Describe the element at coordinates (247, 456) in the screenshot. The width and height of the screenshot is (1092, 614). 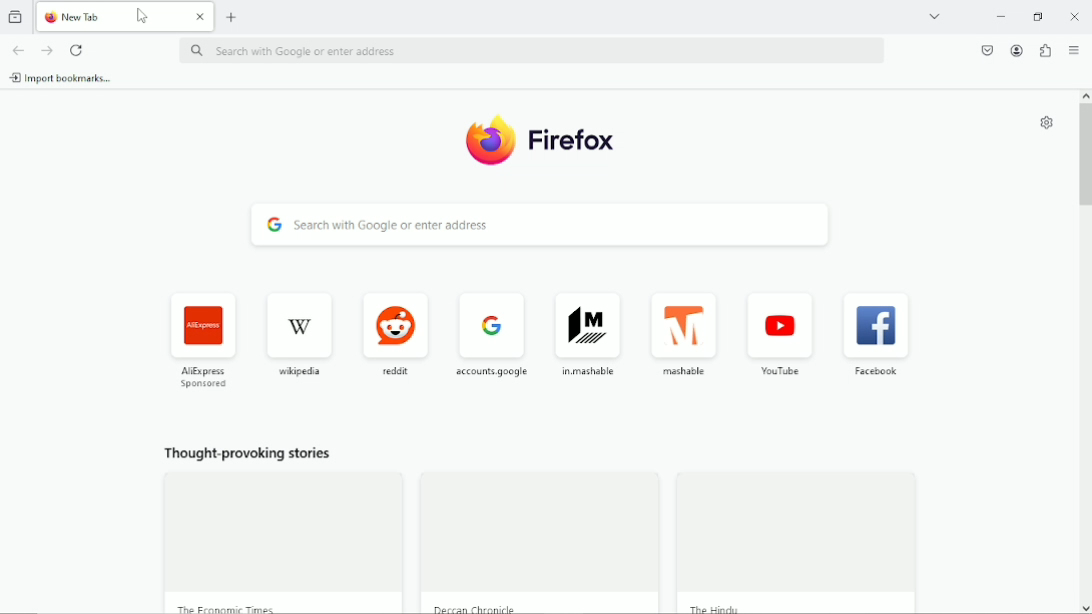
I see `Thought provoking stories` at that location.